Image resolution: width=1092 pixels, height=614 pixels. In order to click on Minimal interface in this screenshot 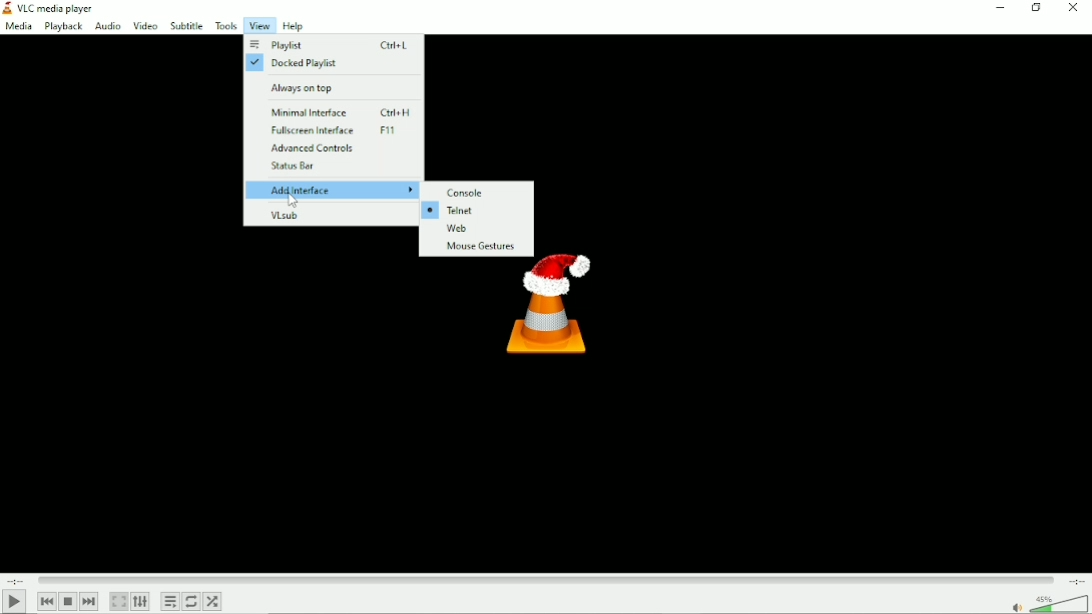, I will do `click(340, 113)`.